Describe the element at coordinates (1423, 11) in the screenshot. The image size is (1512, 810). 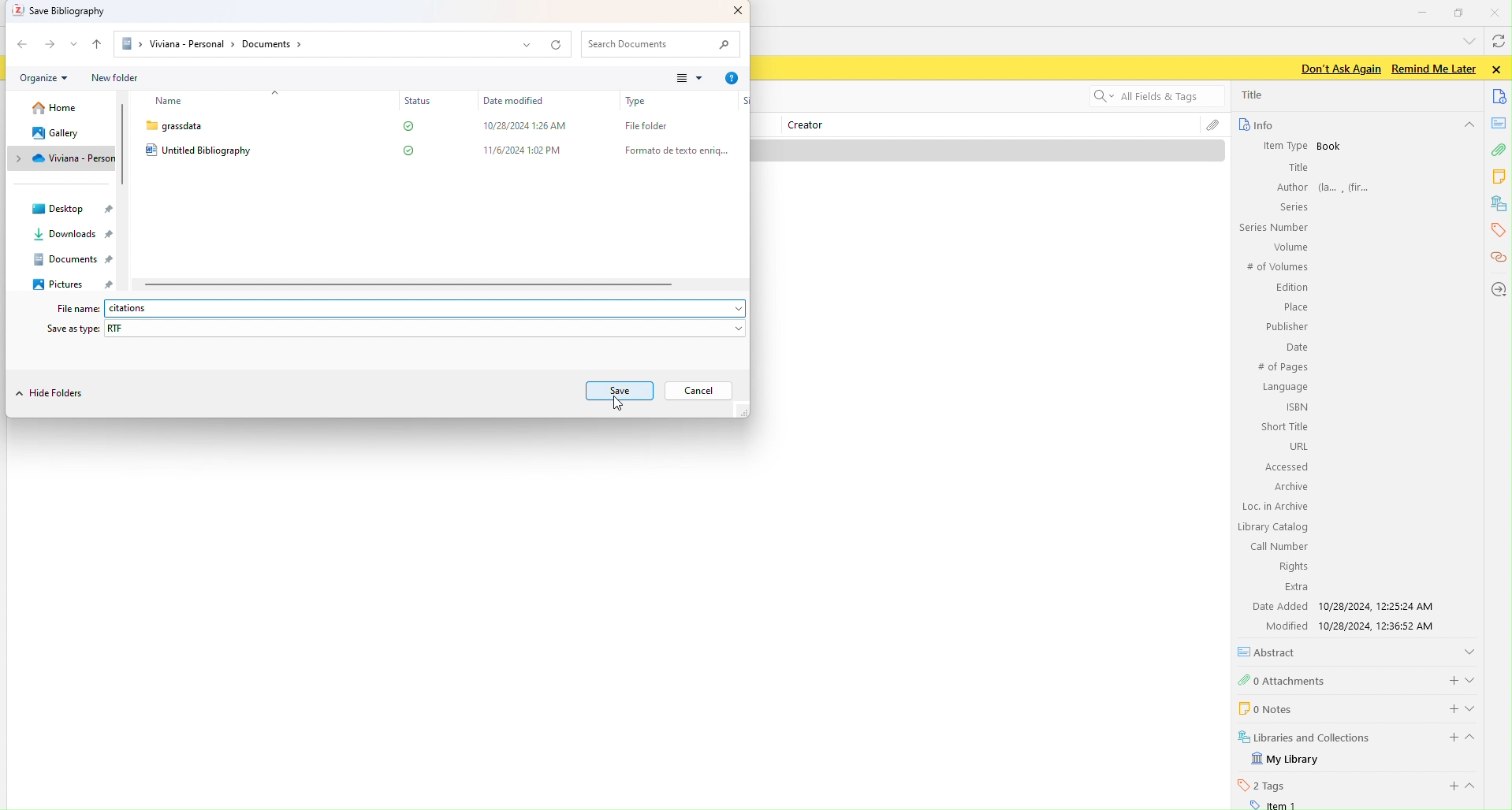
I see `Minimize` at that location.